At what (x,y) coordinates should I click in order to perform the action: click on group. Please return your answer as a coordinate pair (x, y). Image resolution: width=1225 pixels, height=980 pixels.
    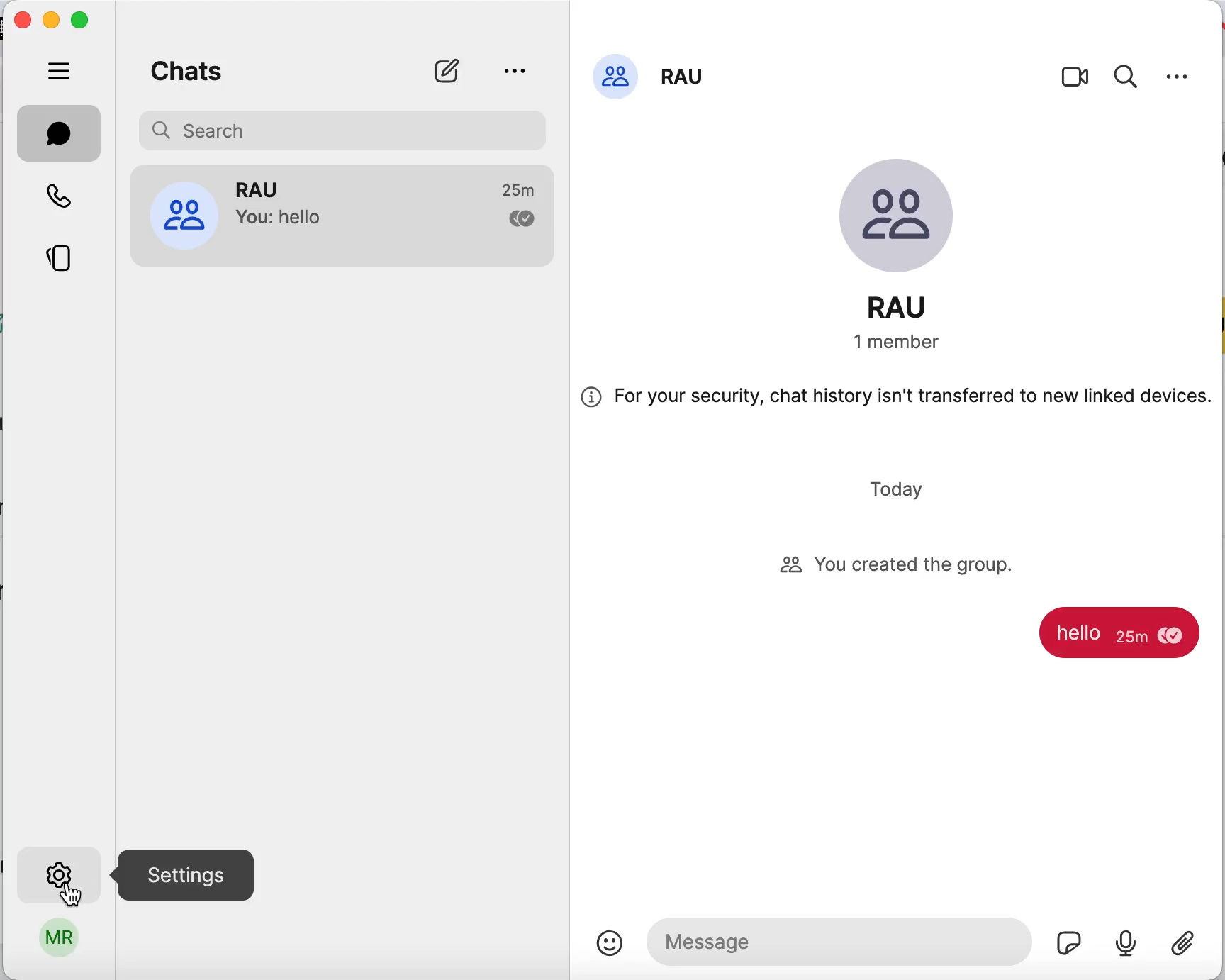
    Looking at the image, I should click on (341, 225).